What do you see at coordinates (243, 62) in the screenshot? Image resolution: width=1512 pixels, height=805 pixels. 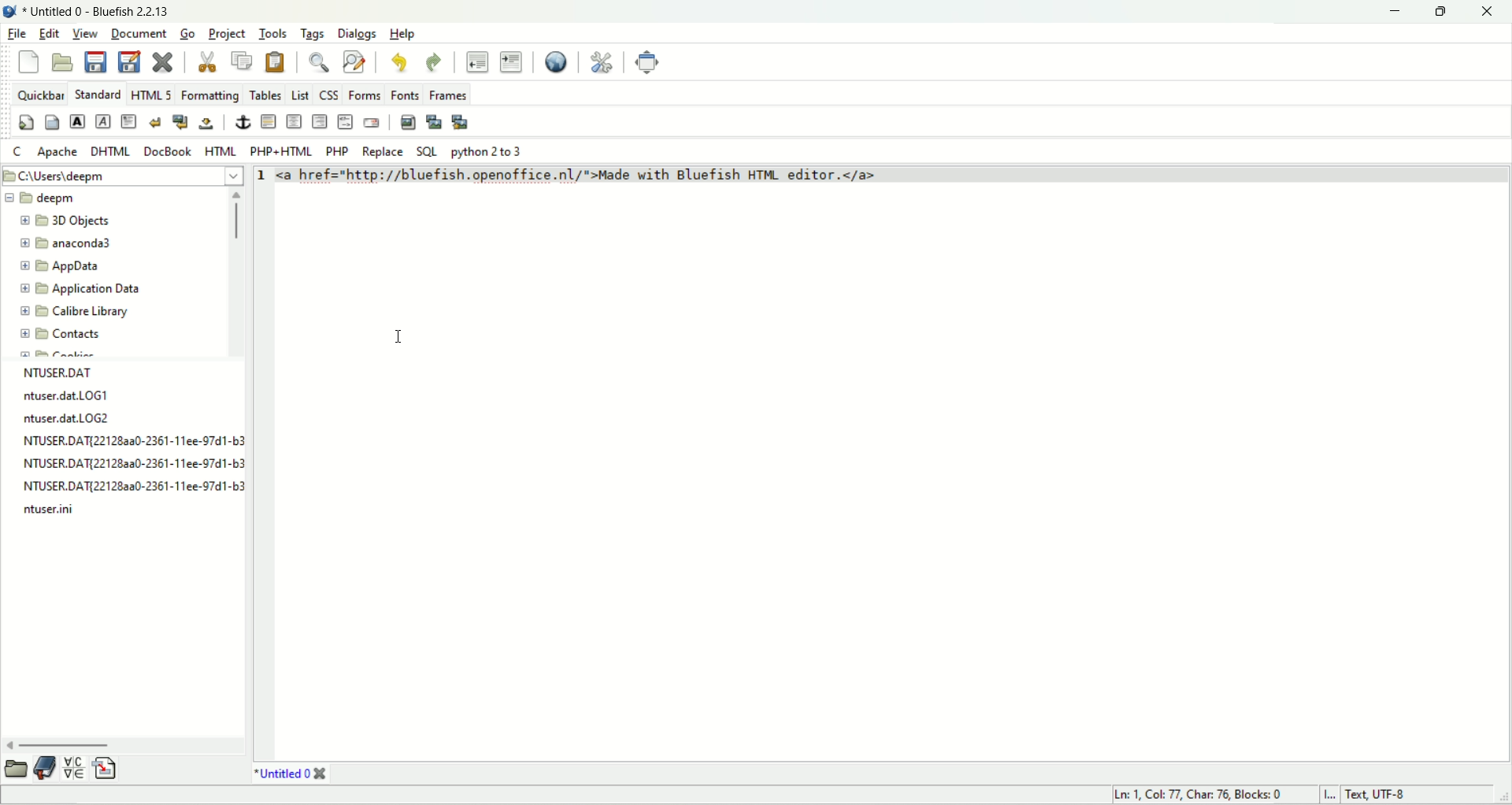 I see `copy` at bounding box center [243, 62].